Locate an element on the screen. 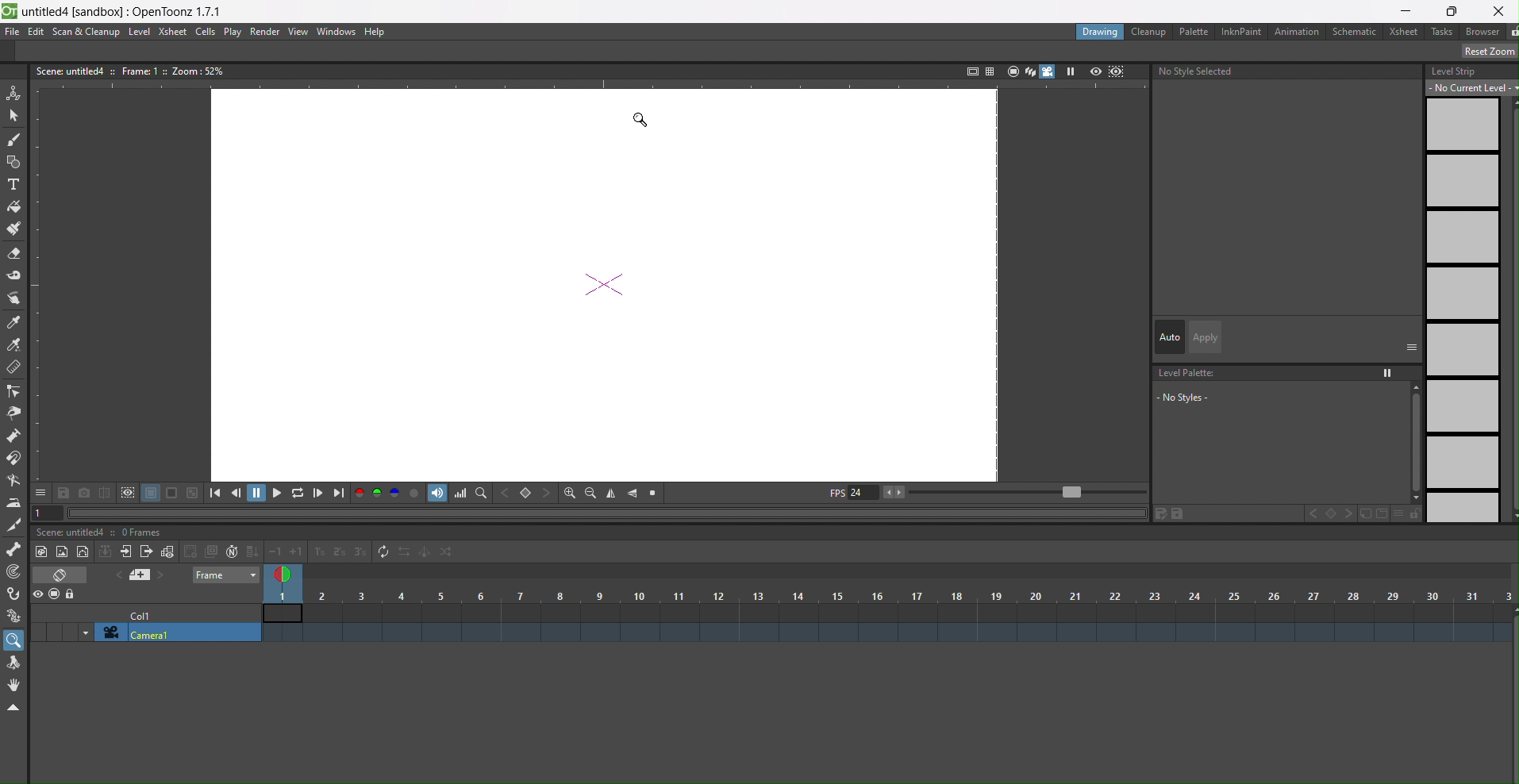 Image resolution: width=1519 pixels, height=784 pixels. iron tool is located at coordinates (14, 502).